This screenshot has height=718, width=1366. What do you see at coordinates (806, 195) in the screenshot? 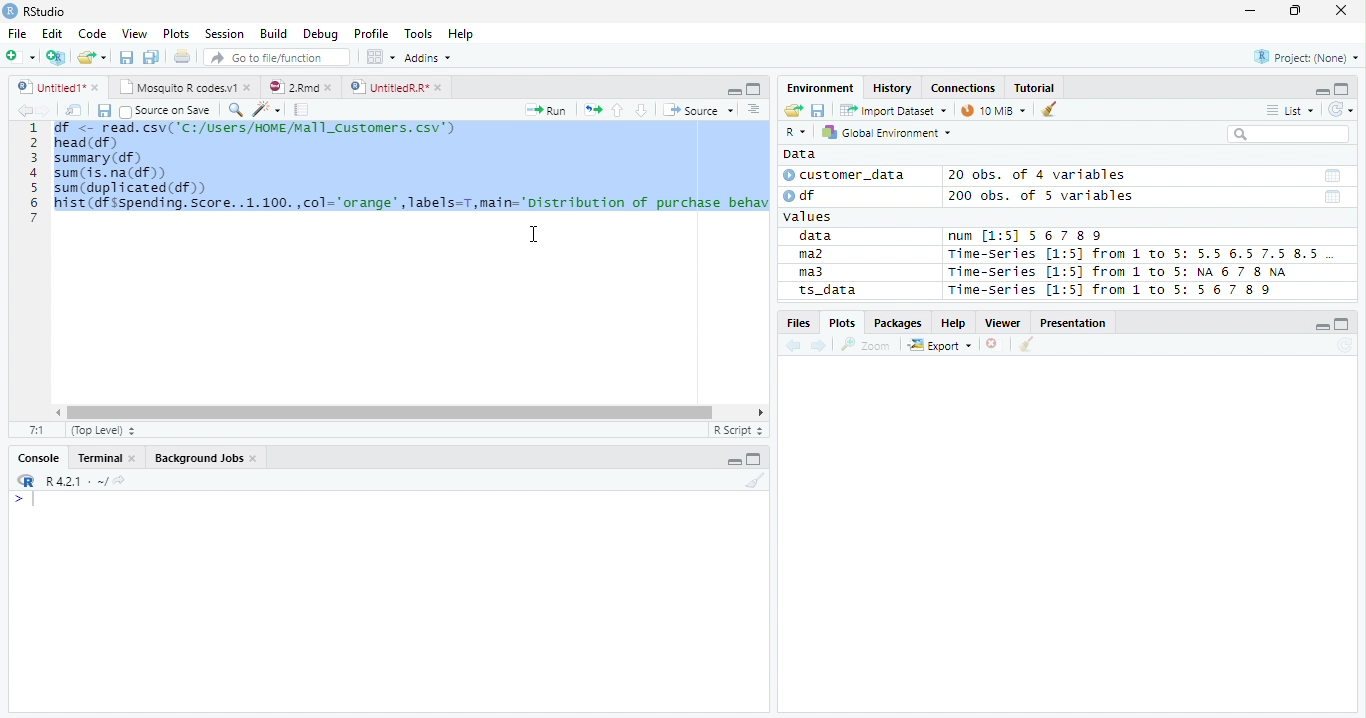
I see `df` at bounding box center [806, 195].